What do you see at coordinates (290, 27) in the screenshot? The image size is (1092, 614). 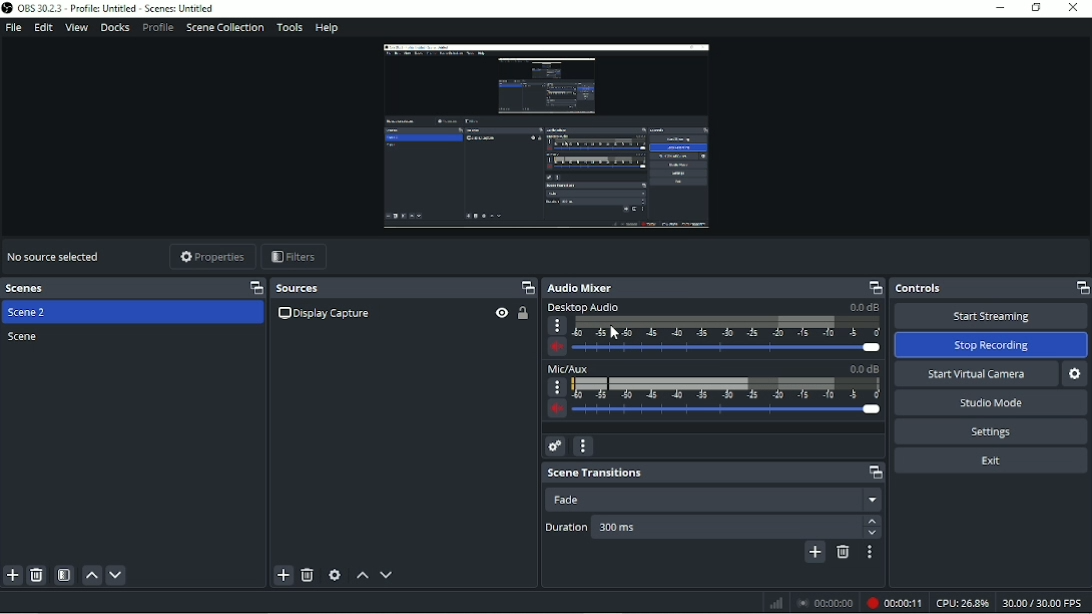 I see `Tools` at bounding box center [290, 27].